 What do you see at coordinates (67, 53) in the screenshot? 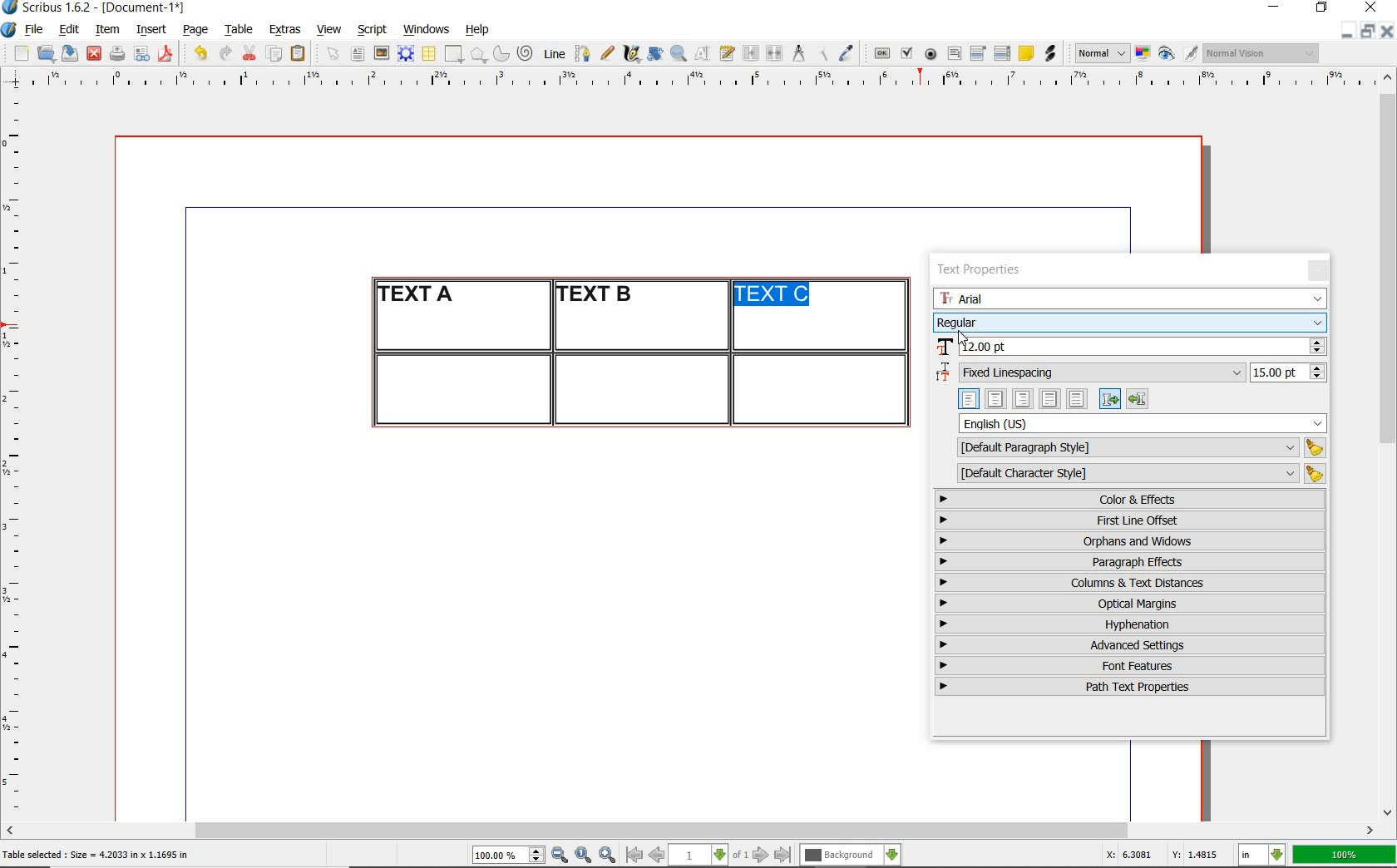
I see `save` at bounding box center [67, 53].